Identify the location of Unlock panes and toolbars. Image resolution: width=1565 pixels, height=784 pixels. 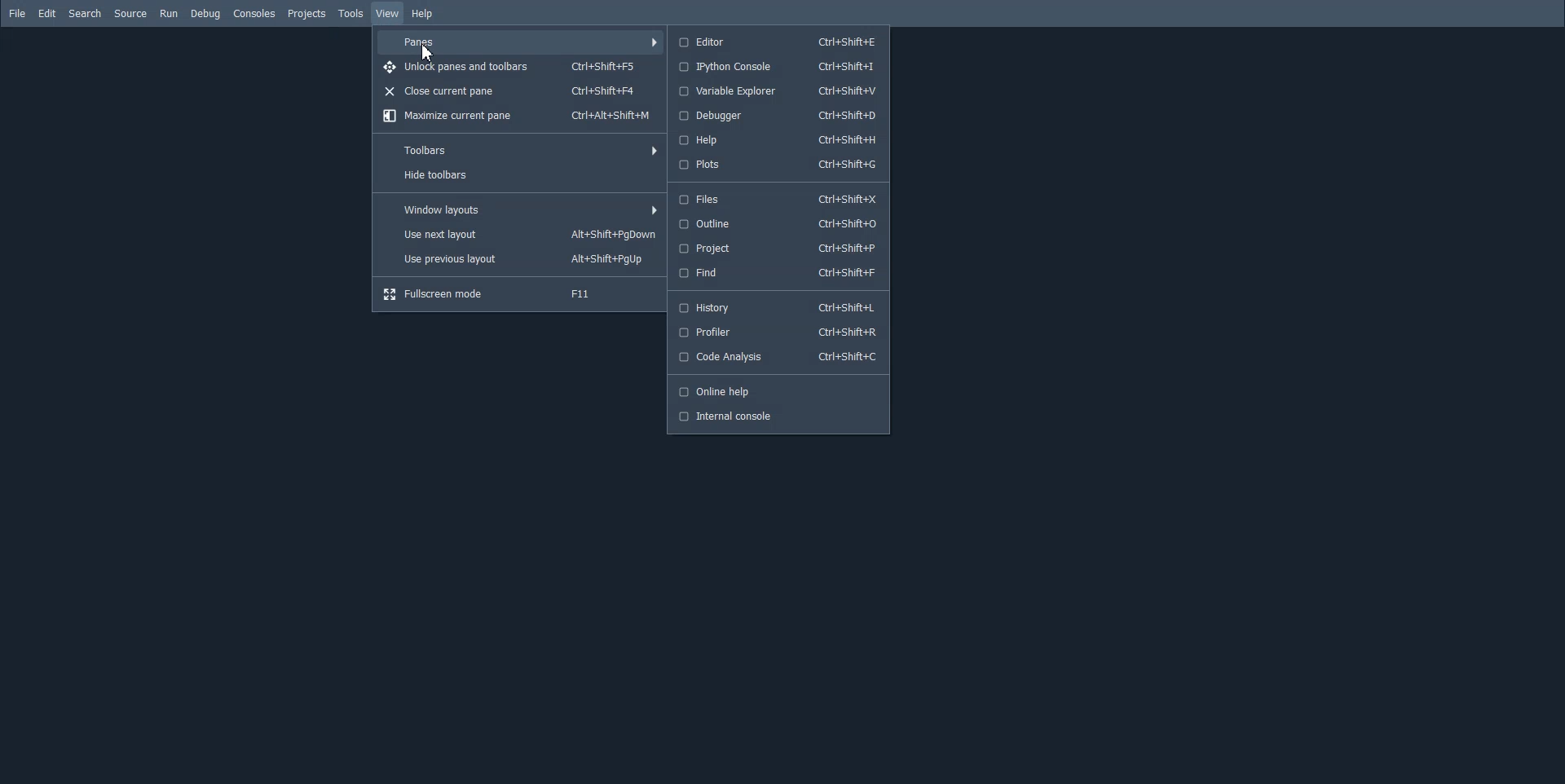
(519, 66).